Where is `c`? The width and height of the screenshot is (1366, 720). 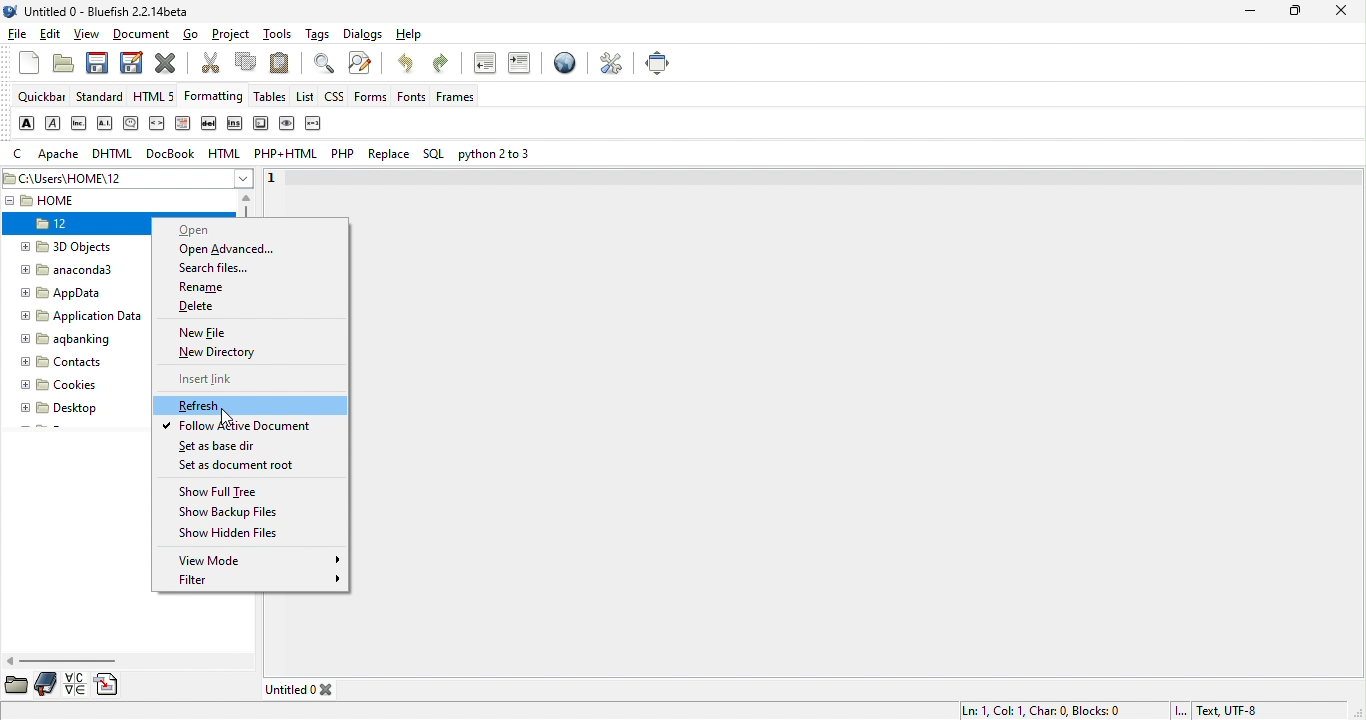
c is located at coordinates (21, 155).